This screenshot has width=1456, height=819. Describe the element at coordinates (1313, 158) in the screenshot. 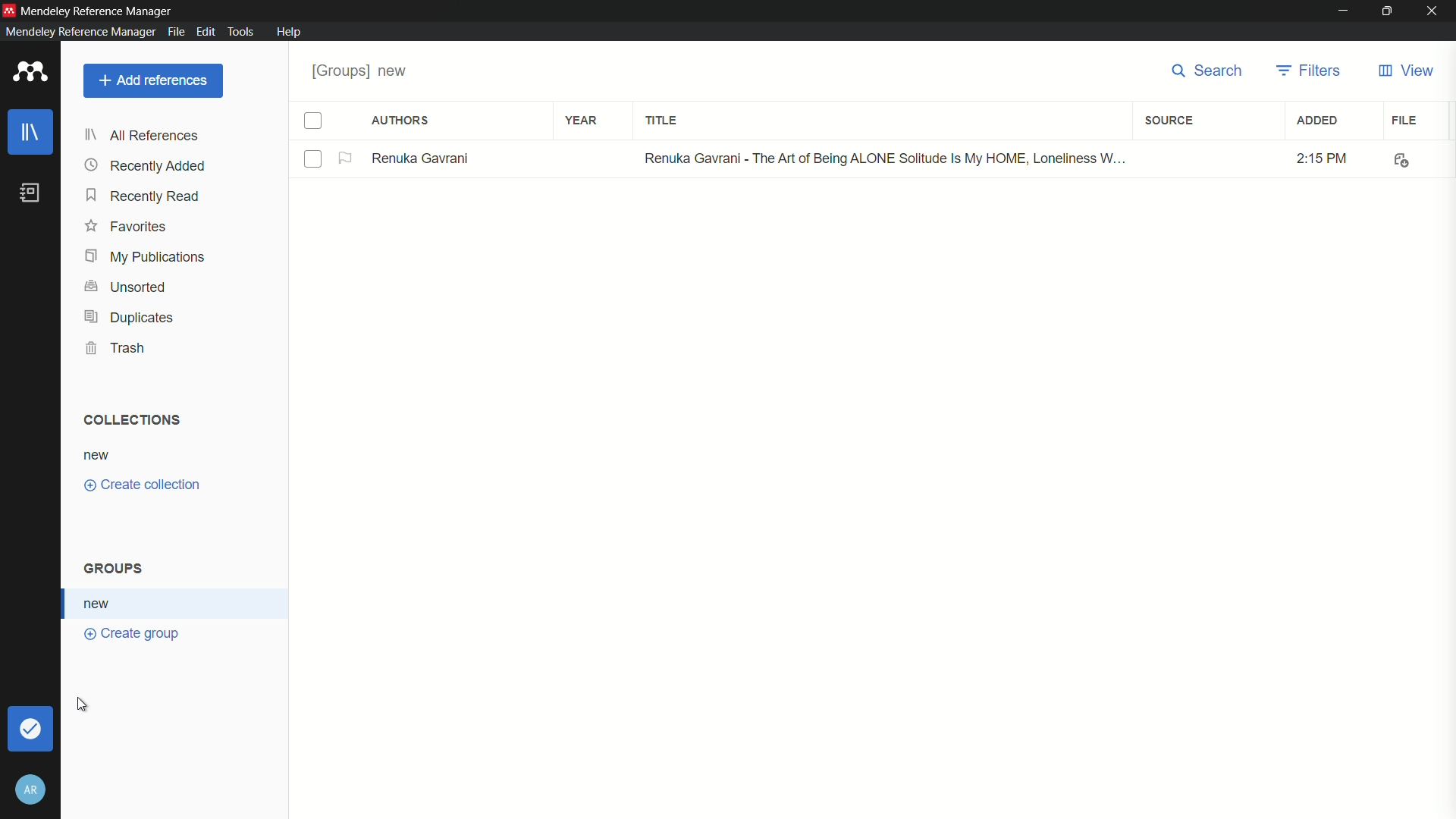

I see `2:15 PM` at that location.